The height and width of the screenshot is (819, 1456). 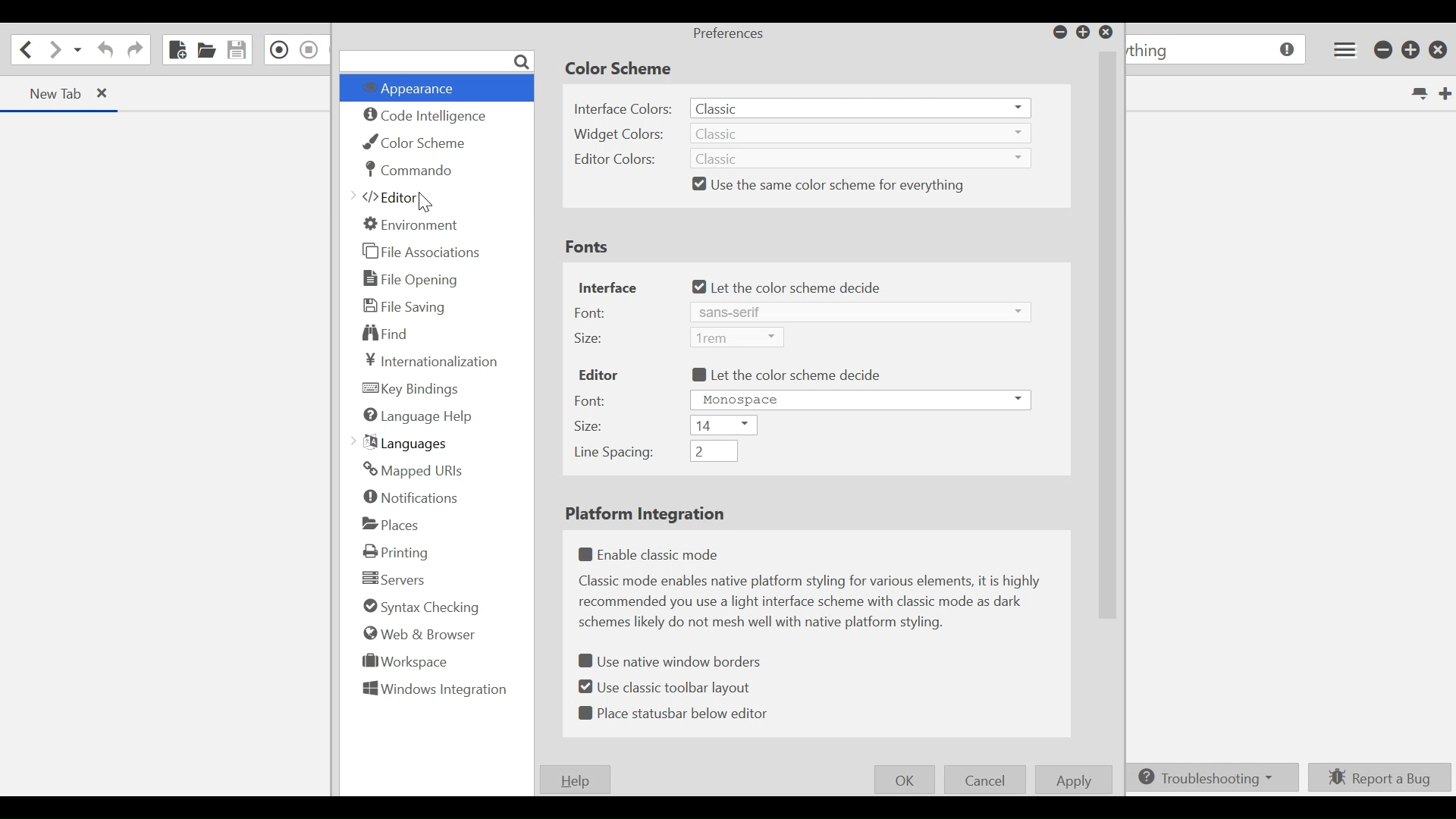 I want to click on Language Help, so click(x=417, y=416).